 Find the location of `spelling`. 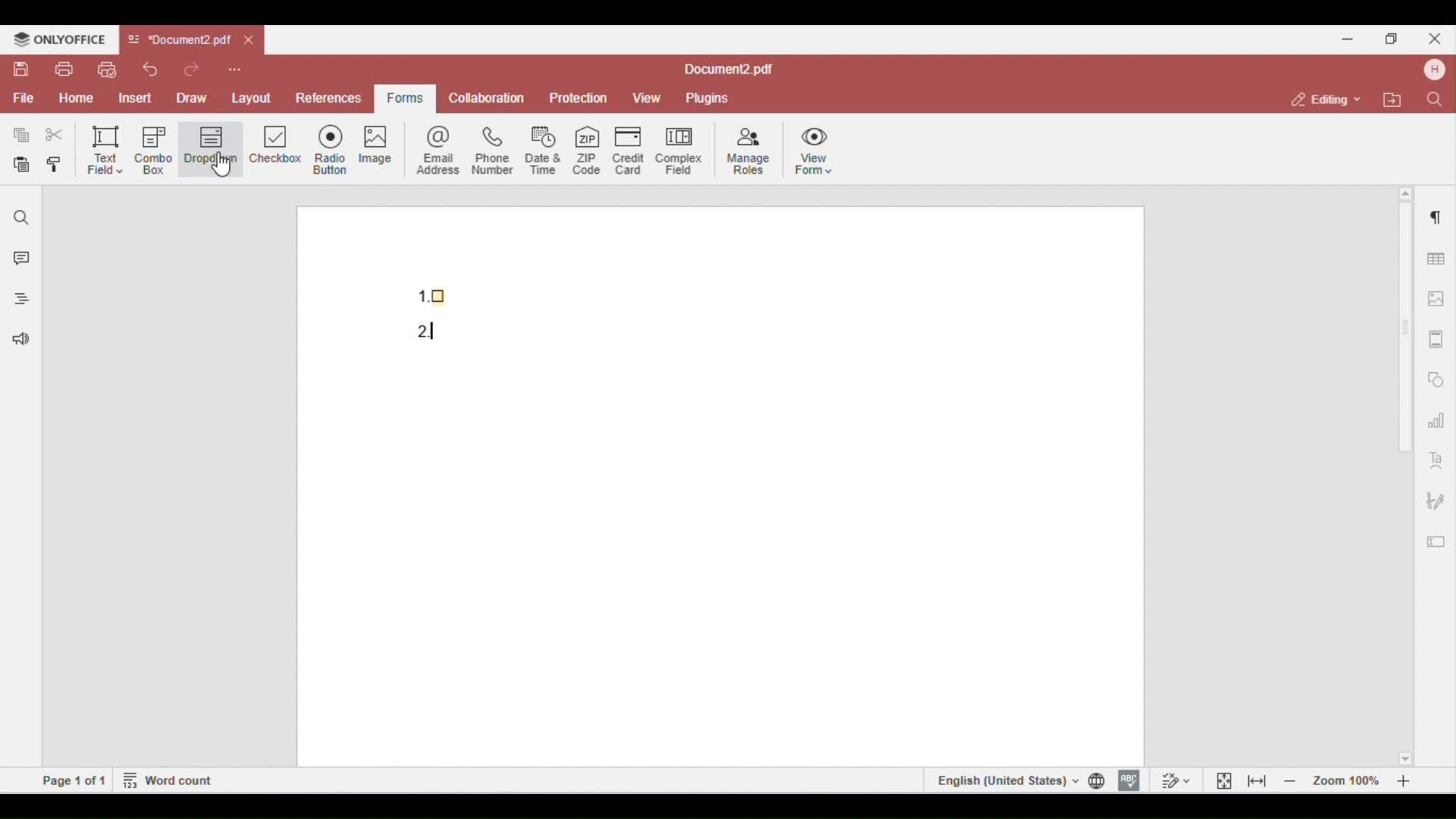

spelling is located at coordinates (1129, 779).